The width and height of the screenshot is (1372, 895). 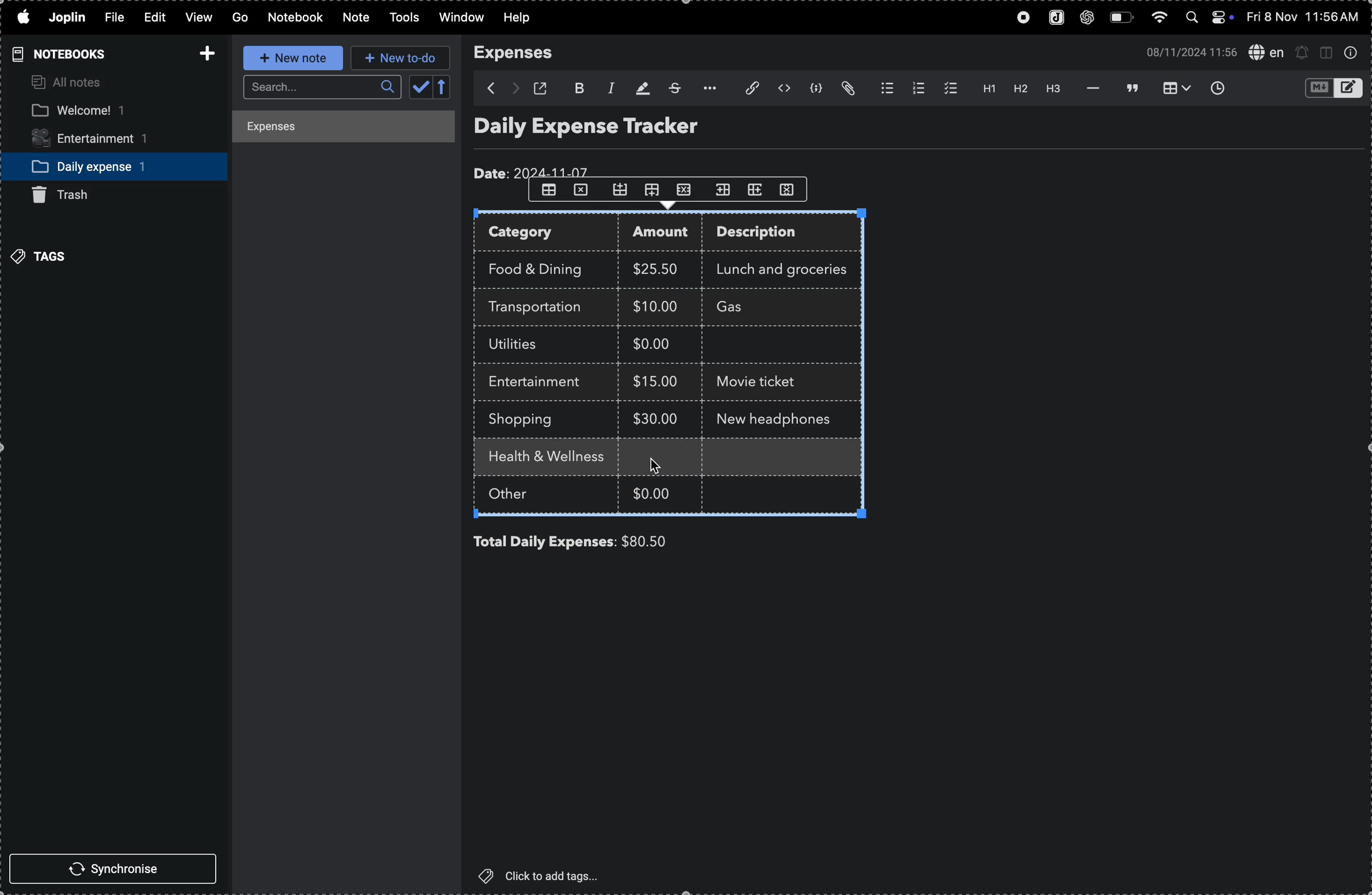 I want to click on shift coloumn to left, so click(x=756, y=189).